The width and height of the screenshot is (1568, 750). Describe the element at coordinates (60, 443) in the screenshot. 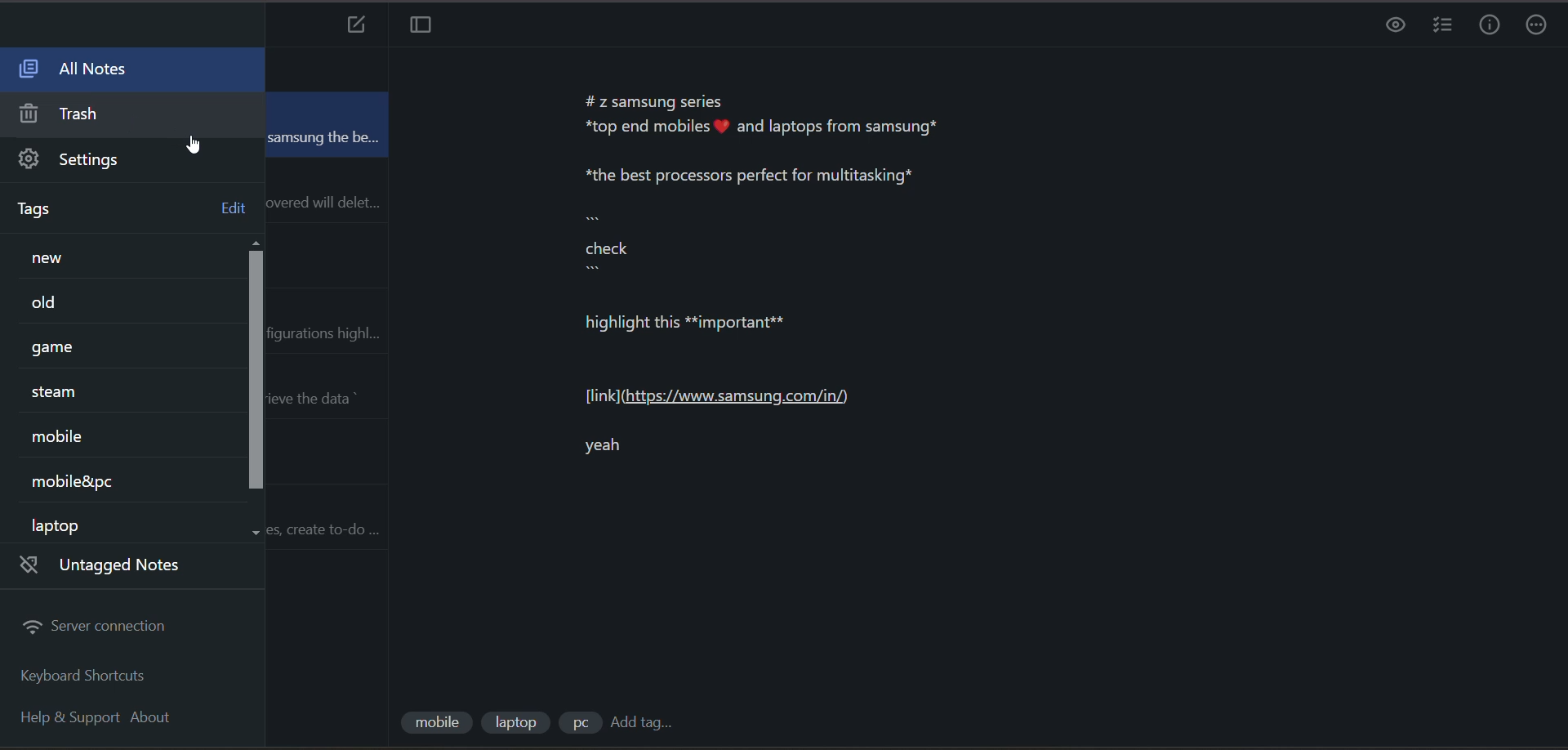

I see `tag 5` at that location.